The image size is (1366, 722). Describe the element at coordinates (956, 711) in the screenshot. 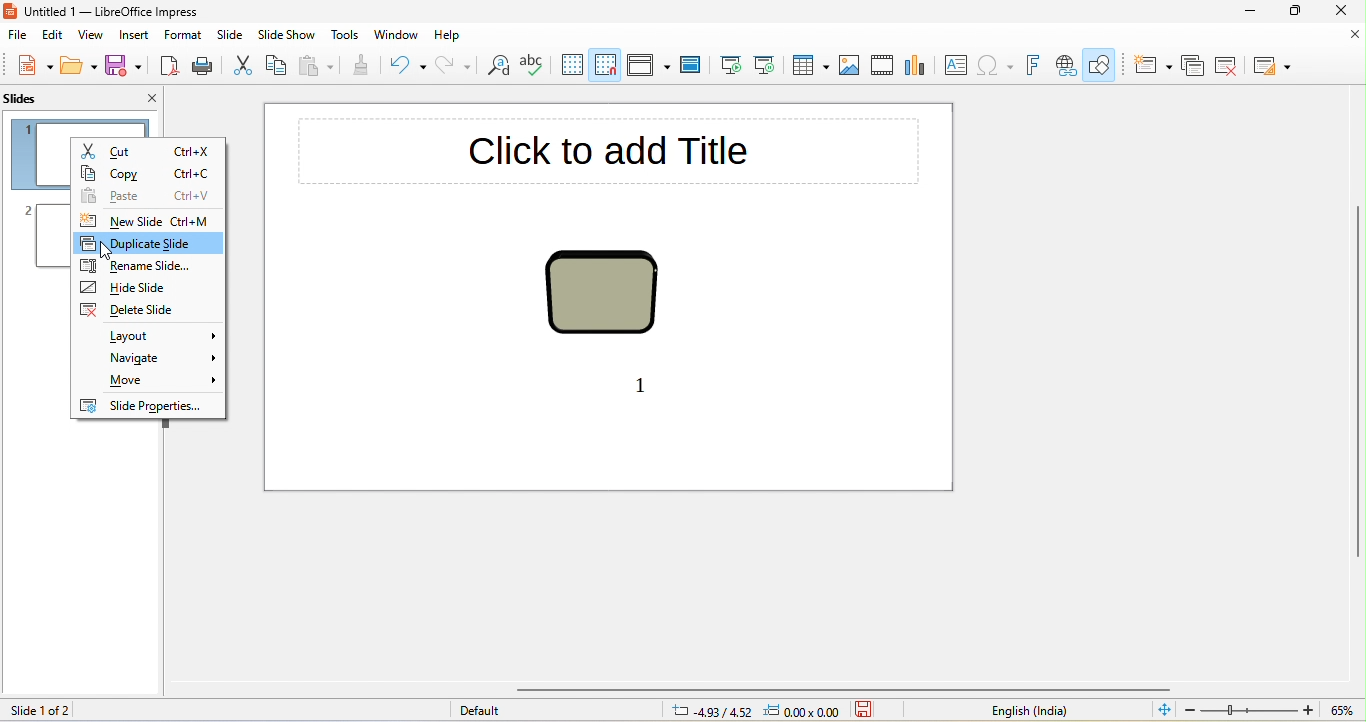

I see `text language` at that location.